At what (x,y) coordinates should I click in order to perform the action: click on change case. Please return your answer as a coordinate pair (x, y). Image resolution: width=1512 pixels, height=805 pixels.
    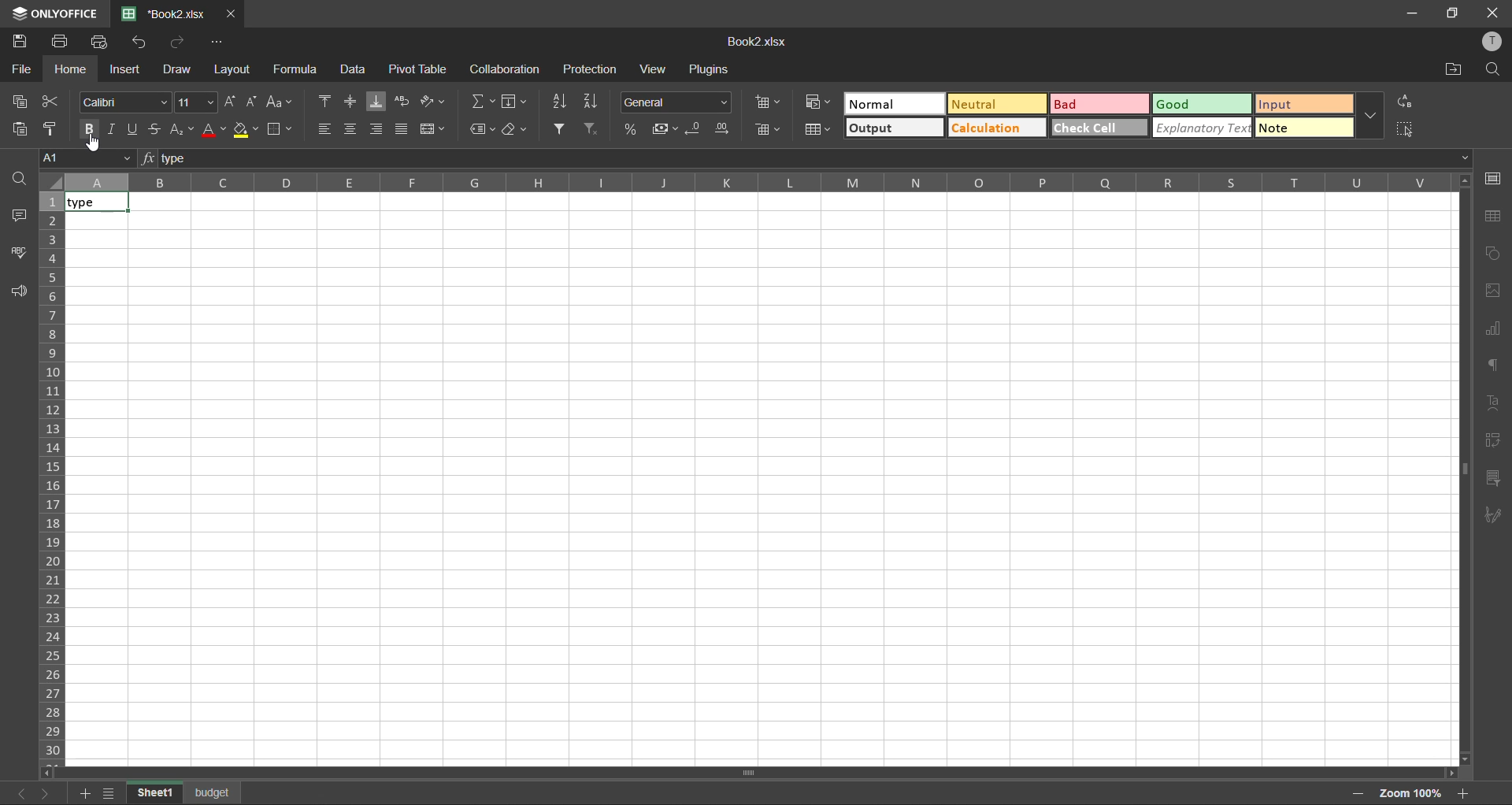
    Looking at the image, I should click on (282, 102).